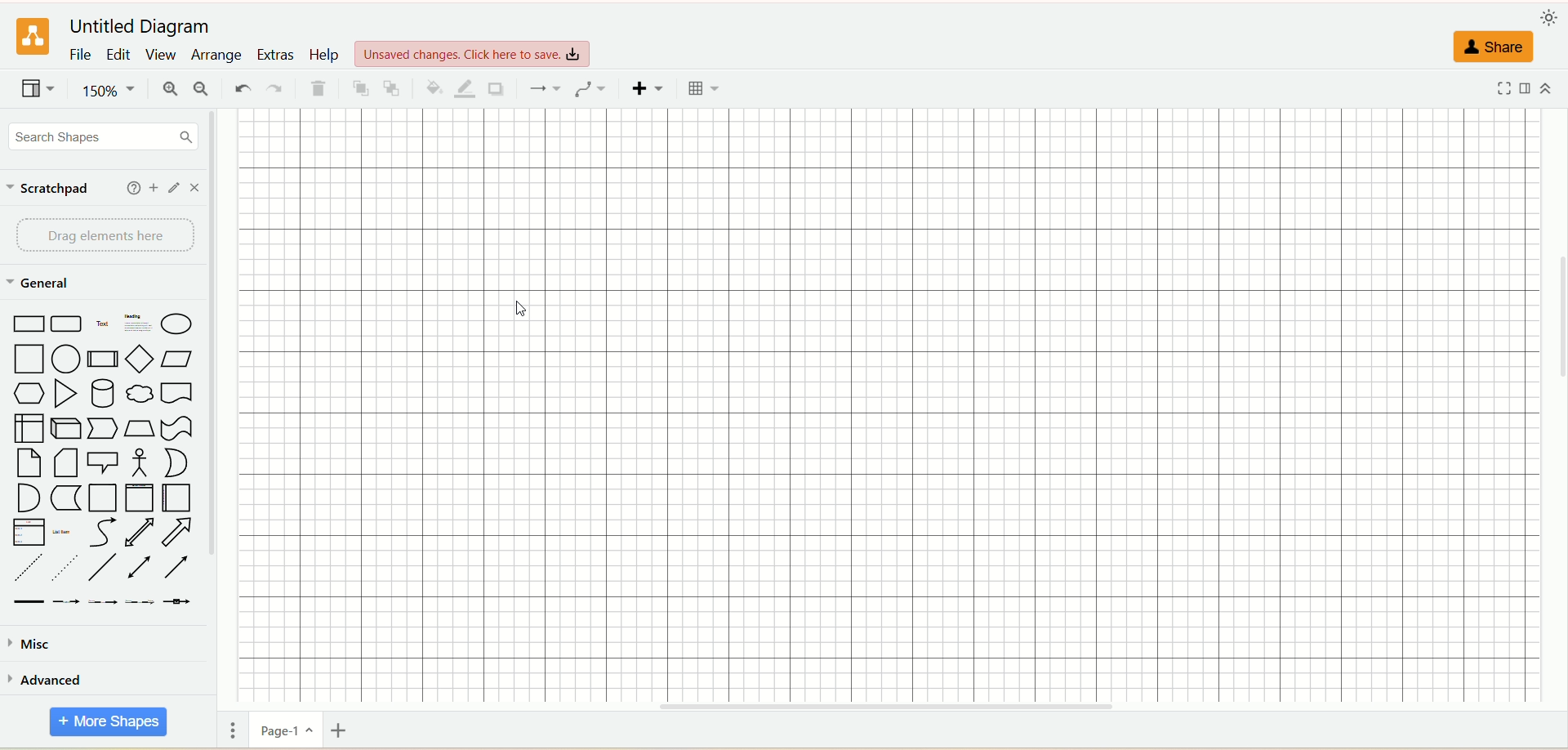  I want to click on arrange, so click(215, 56).